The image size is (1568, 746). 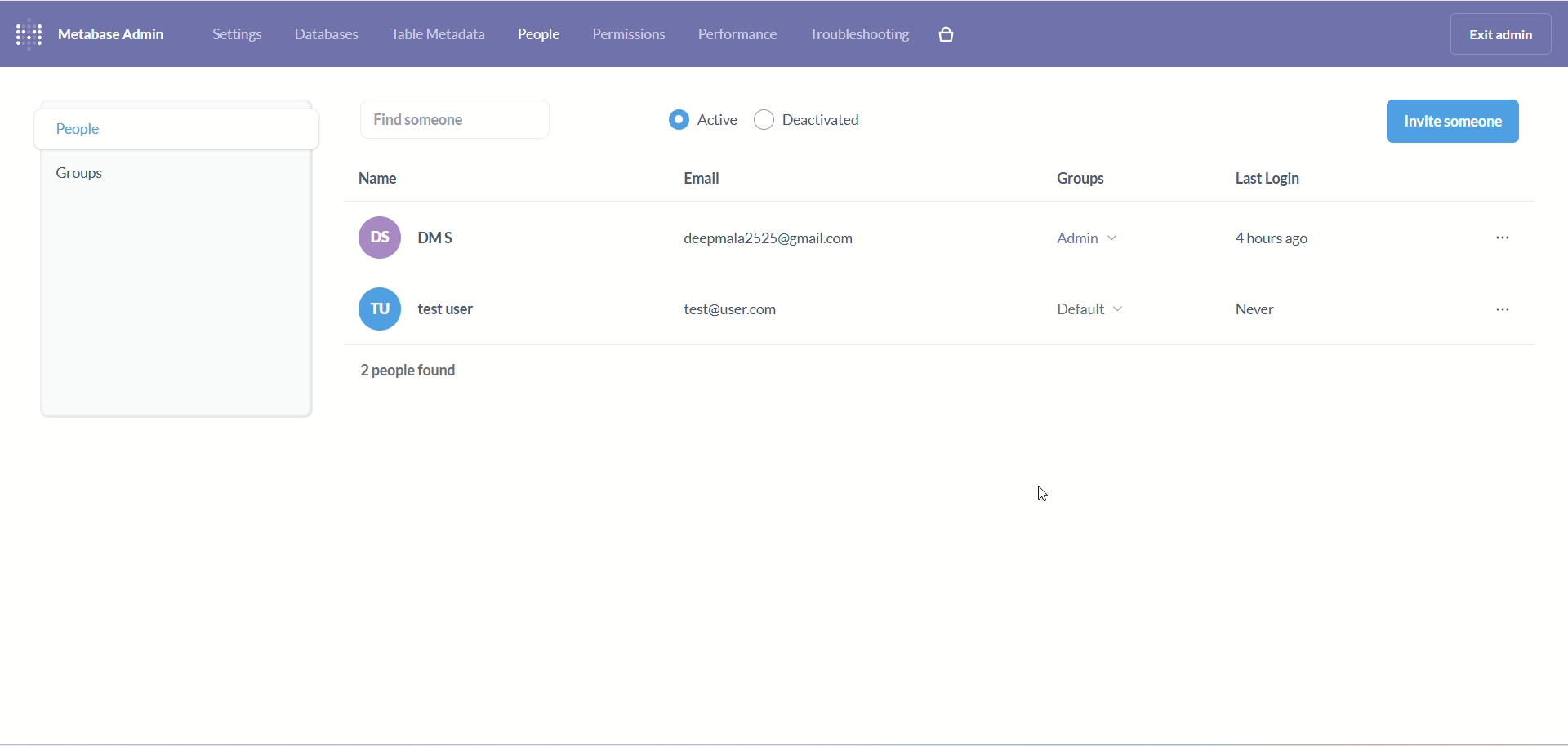 What do you see at coordinates (858, 34) in the screenshot?
I see `troubleshooting` at bounding box center [858, 34].